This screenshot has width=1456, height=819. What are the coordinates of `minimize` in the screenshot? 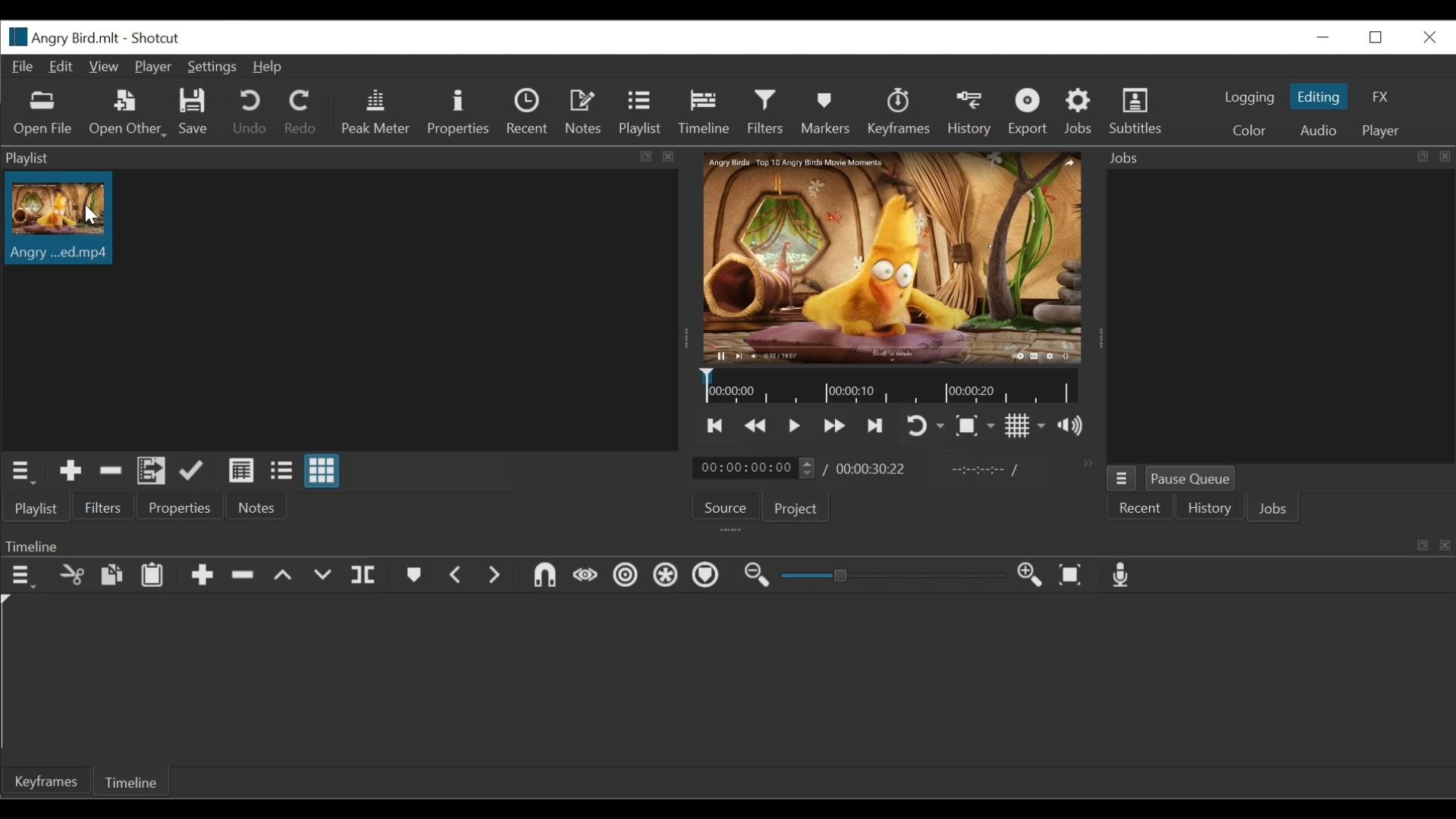 It's located at (1322, 37).